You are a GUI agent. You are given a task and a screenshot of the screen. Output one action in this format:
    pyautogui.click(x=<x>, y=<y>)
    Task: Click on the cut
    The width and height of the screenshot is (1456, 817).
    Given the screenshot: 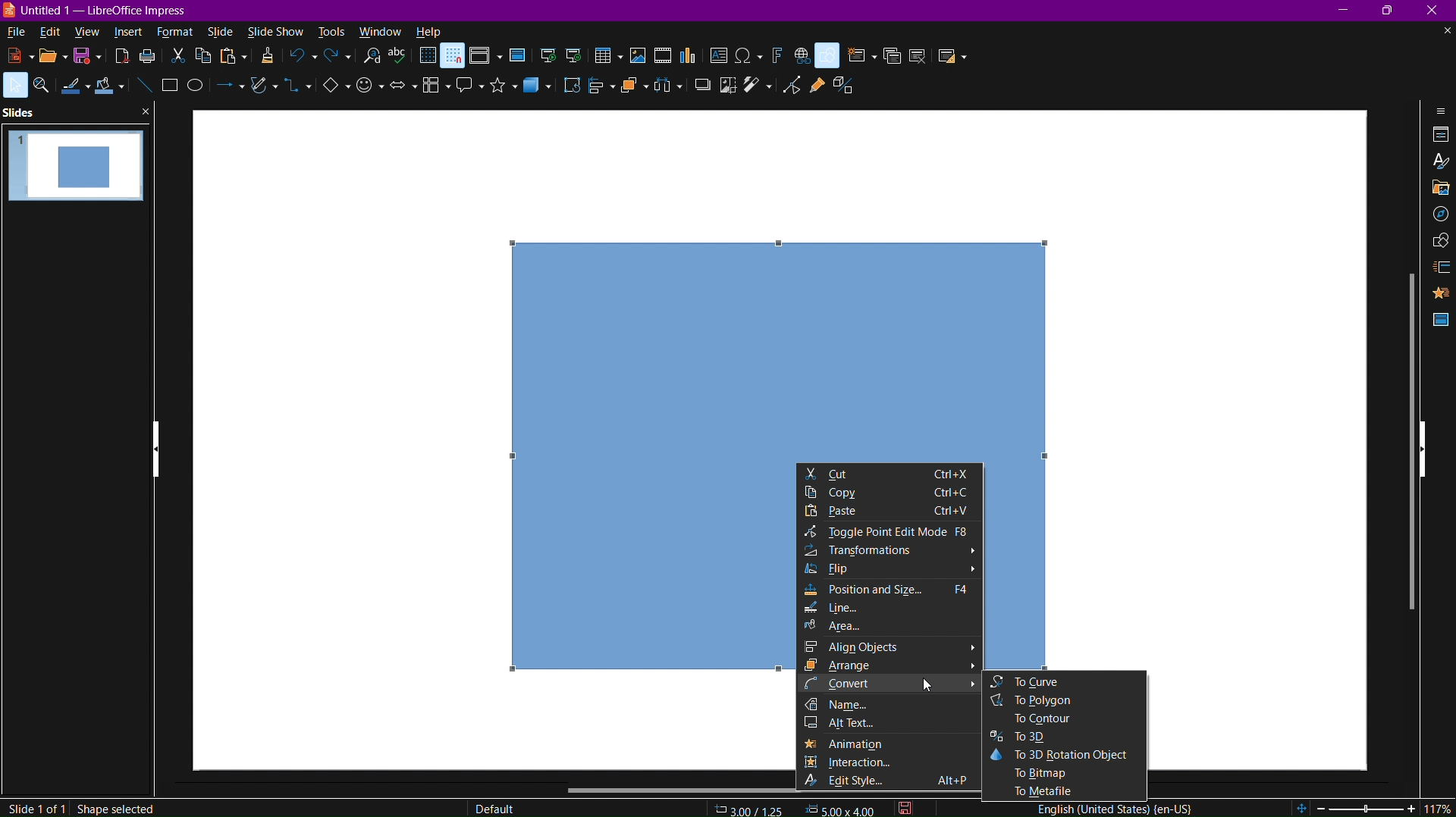 What is the action you would take?
    pyautogui.click(x=180, y=58)
    